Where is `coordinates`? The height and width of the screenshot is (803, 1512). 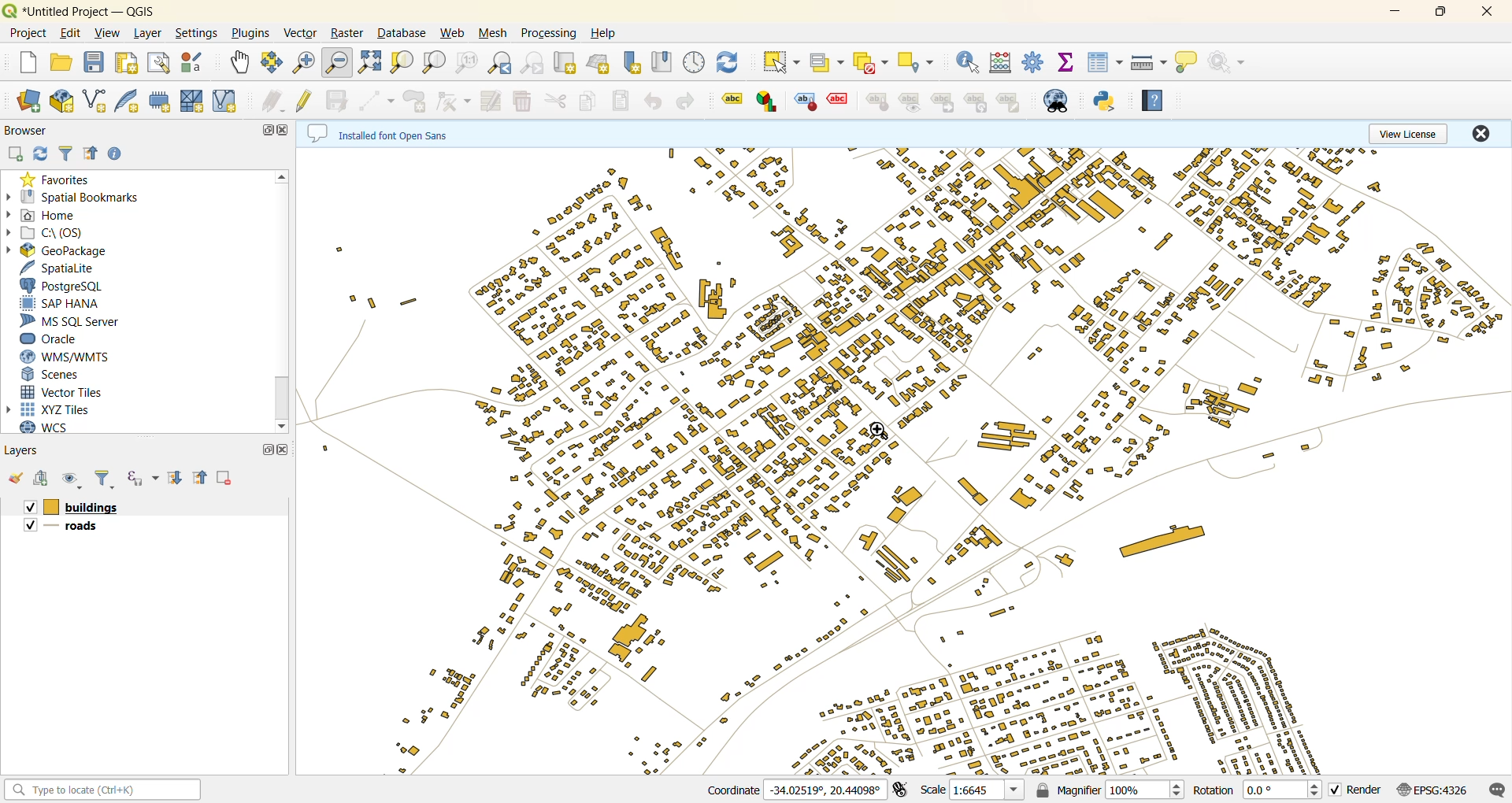 coordinates is located at coordinates (792, 790).